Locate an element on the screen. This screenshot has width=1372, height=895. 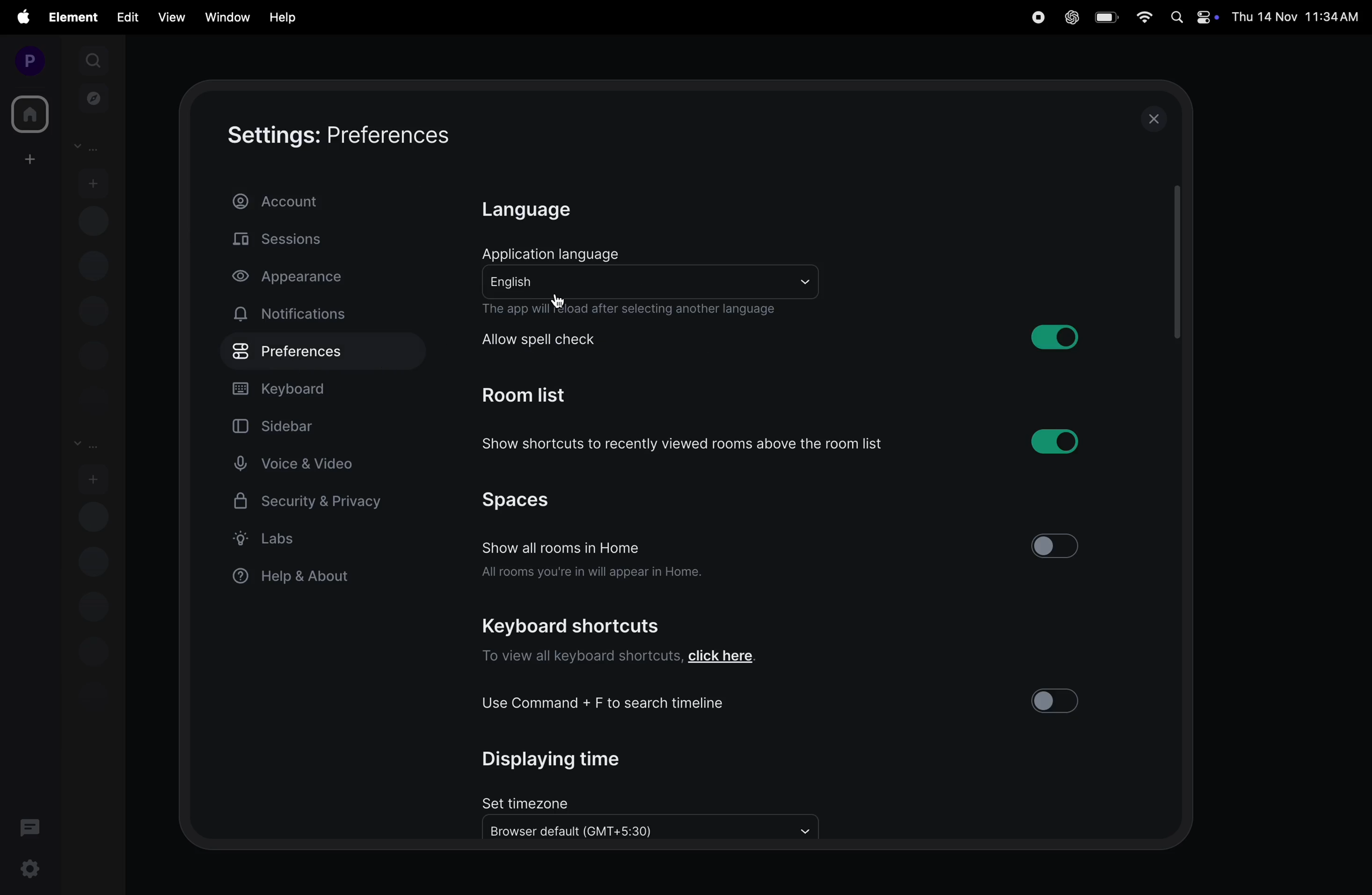
element is located at coordinates (70, 16).